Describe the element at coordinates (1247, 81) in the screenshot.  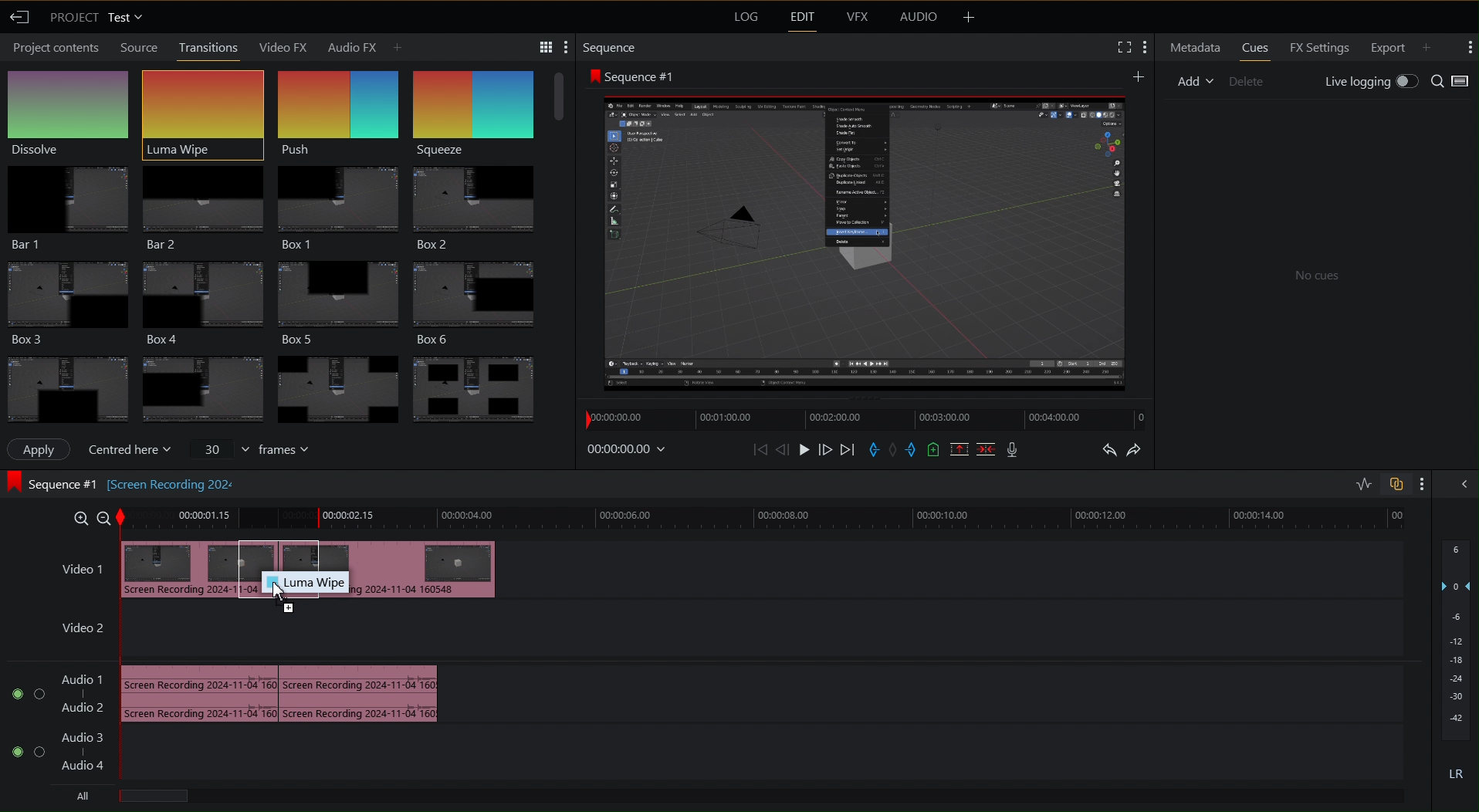
I see `Delete` at that location.